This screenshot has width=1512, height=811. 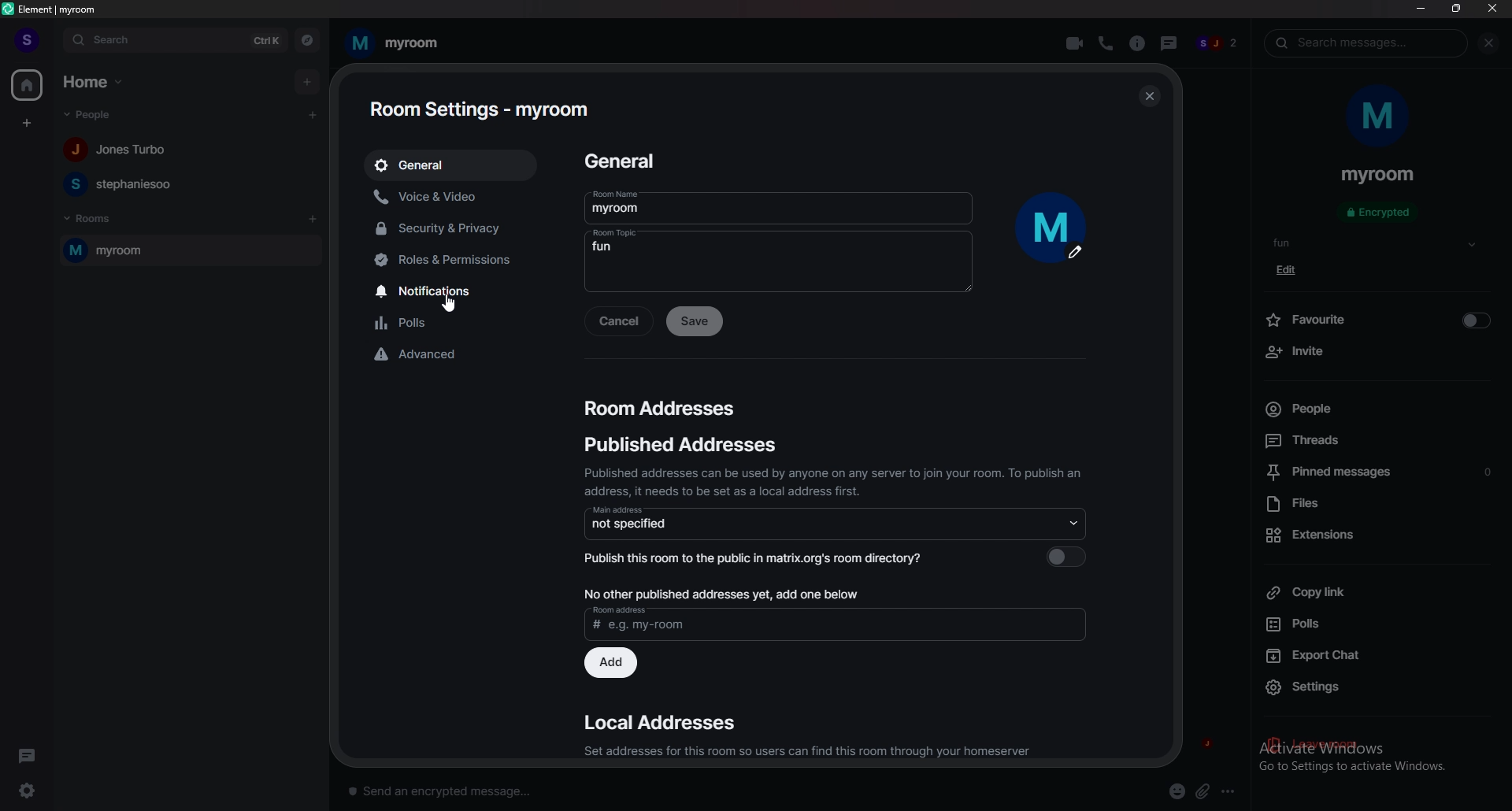 What do you see at coordinates (1380, 688) in the screenshot?
I see `settings` at bounding box center [1380, 688].